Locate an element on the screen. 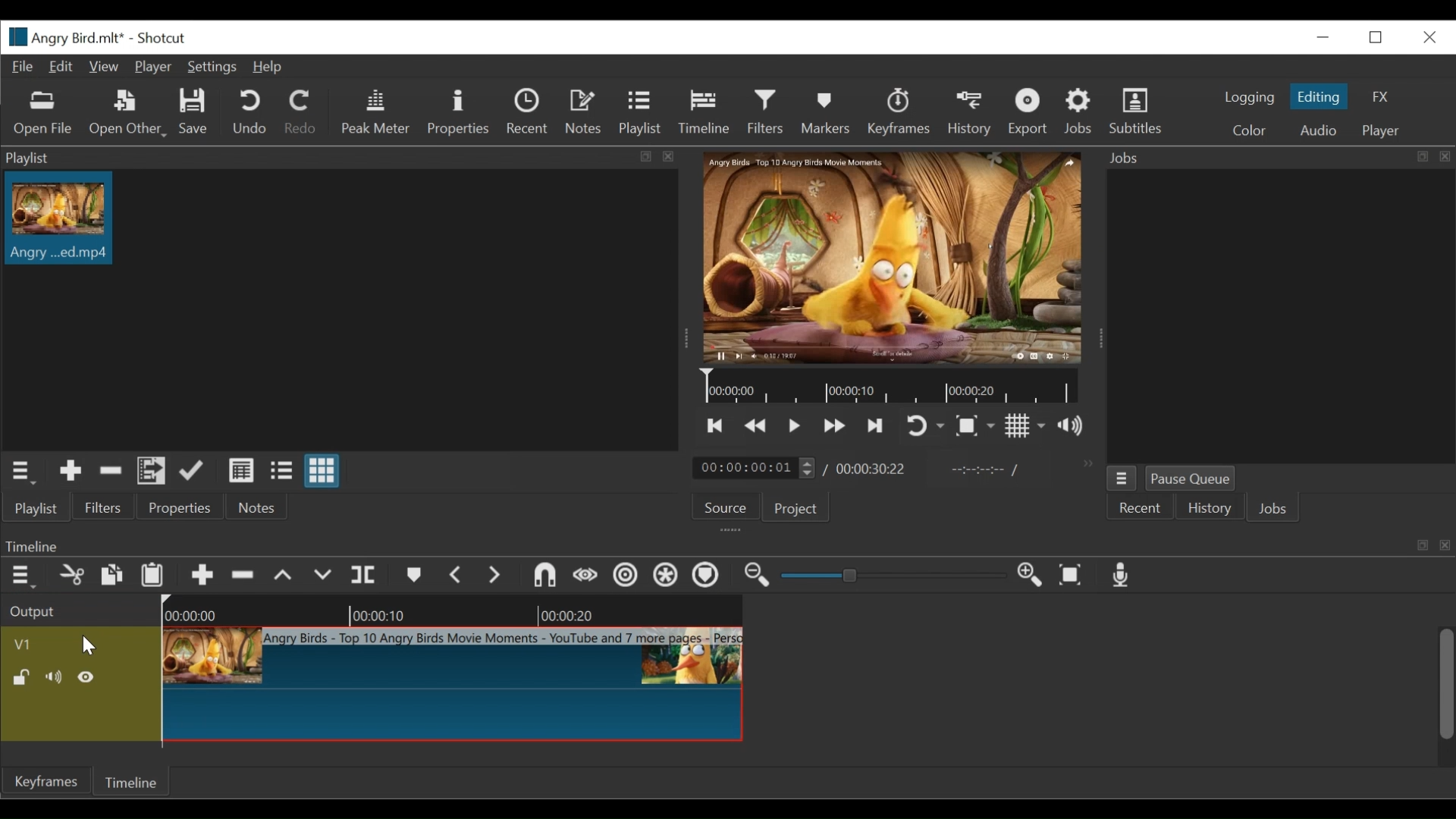 Image resolution: width=1456 pixels, height=819 pixels. Record audio is located at coordinates (1122, 576).